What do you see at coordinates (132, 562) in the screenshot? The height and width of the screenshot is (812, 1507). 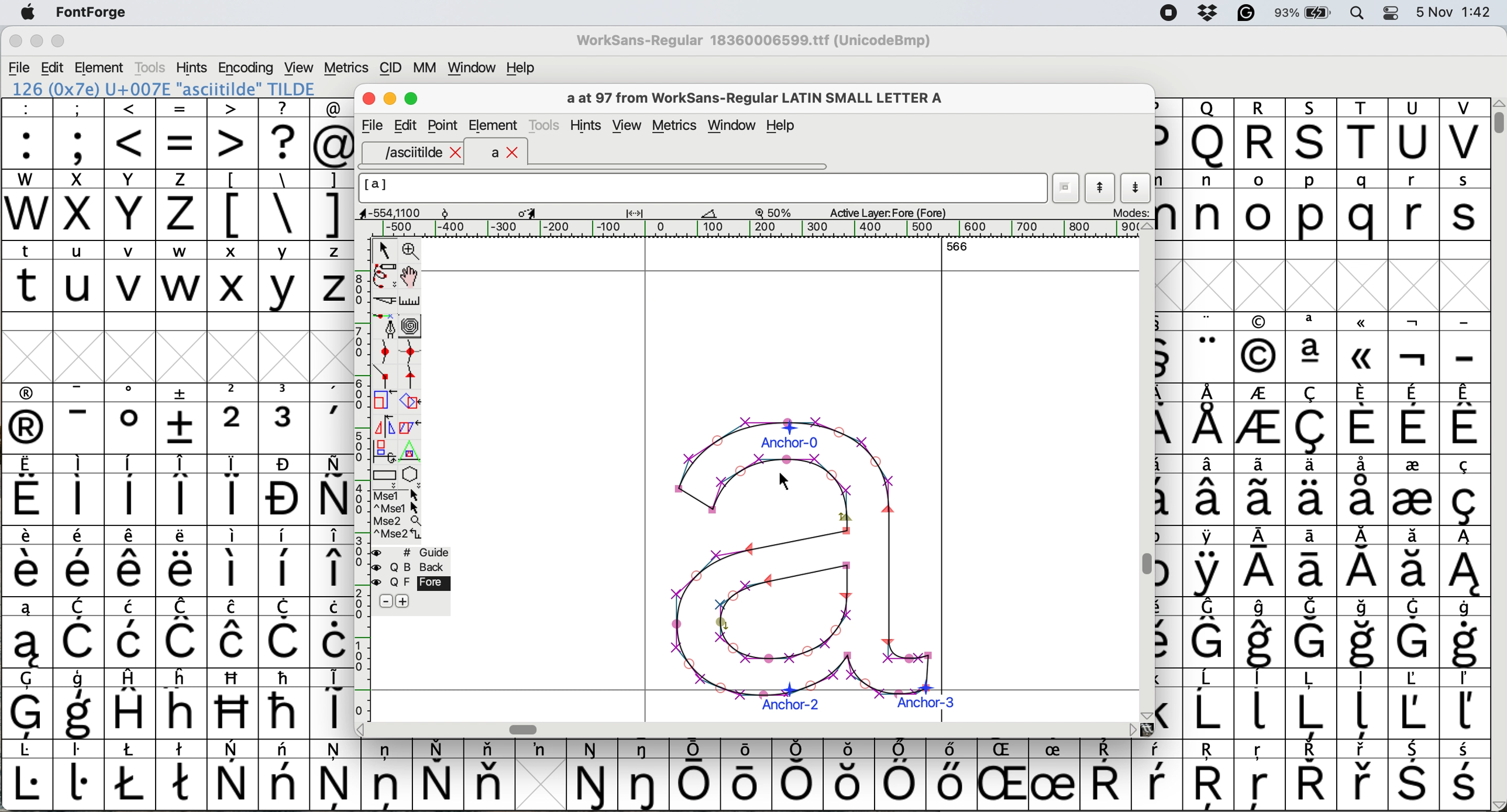 I see `symbol` at bounding box center [132, 562].